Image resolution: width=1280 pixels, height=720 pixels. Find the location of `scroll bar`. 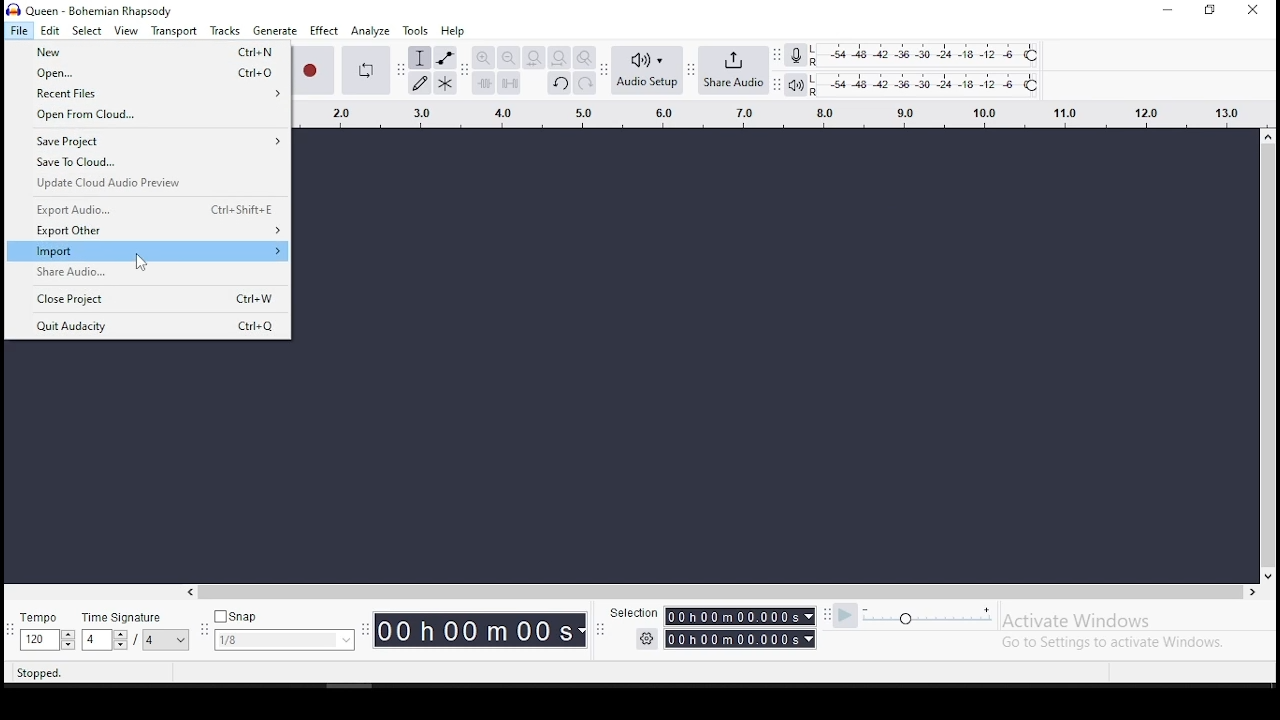

scroll bar is located at coordinates (714, 591).